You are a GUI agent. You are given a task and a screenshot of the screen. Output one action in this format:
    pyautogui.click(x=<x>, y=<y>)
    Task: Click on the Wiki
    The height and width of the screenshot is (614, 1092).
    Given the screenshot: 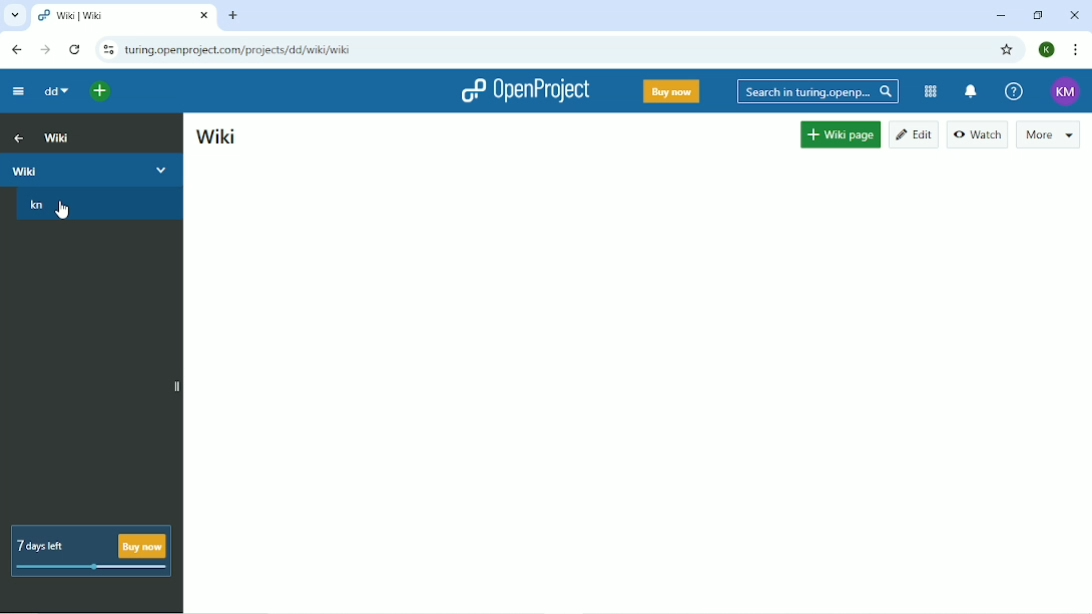 What is the action you would take?
    pyautogui.click(x=92, y=169)
    